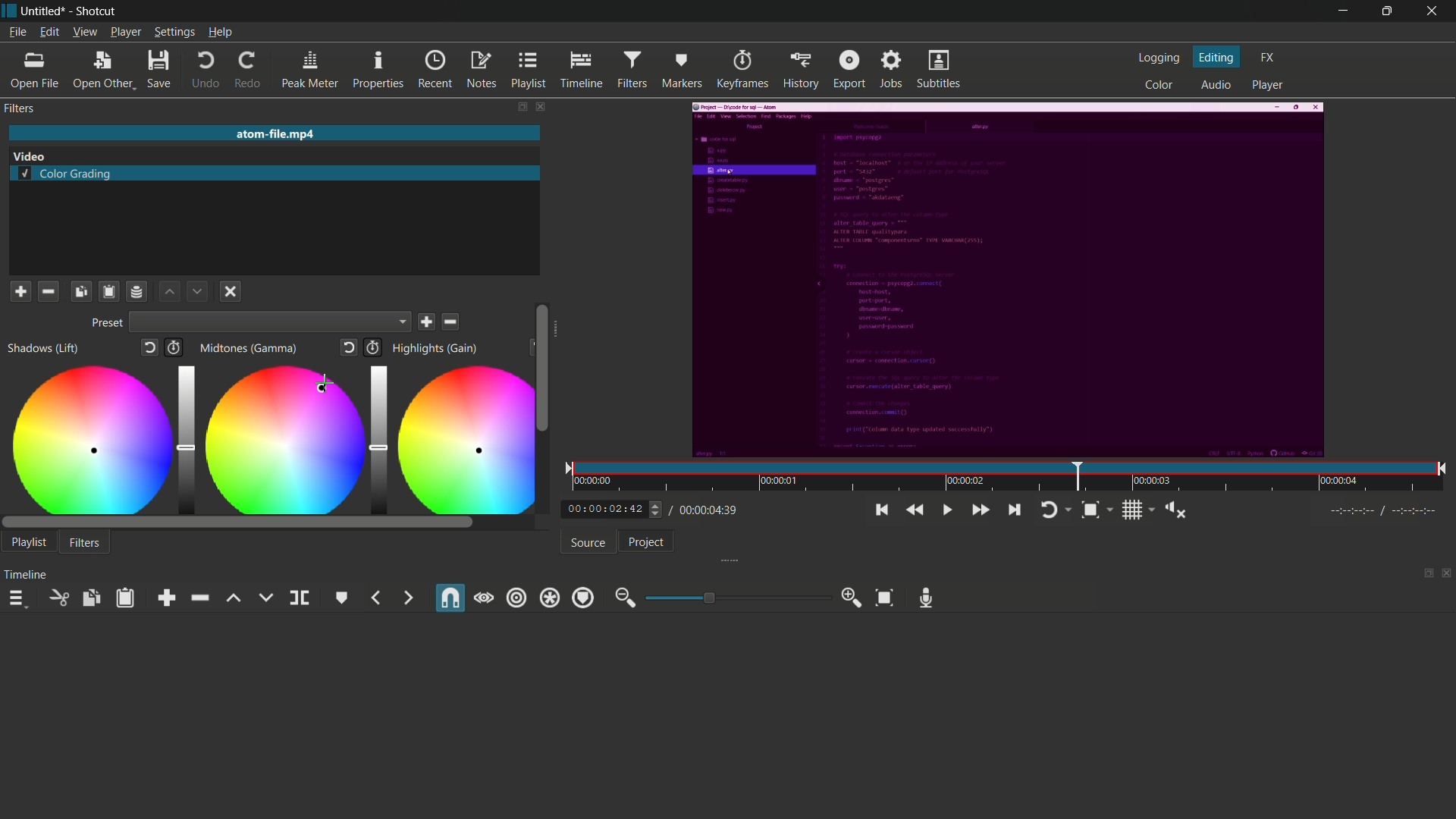 This screenshot has width=1456, height=819. What do you see at coordinates (229, 293) in the screenshot?
I see `Close` at bounding box center [229, 293].